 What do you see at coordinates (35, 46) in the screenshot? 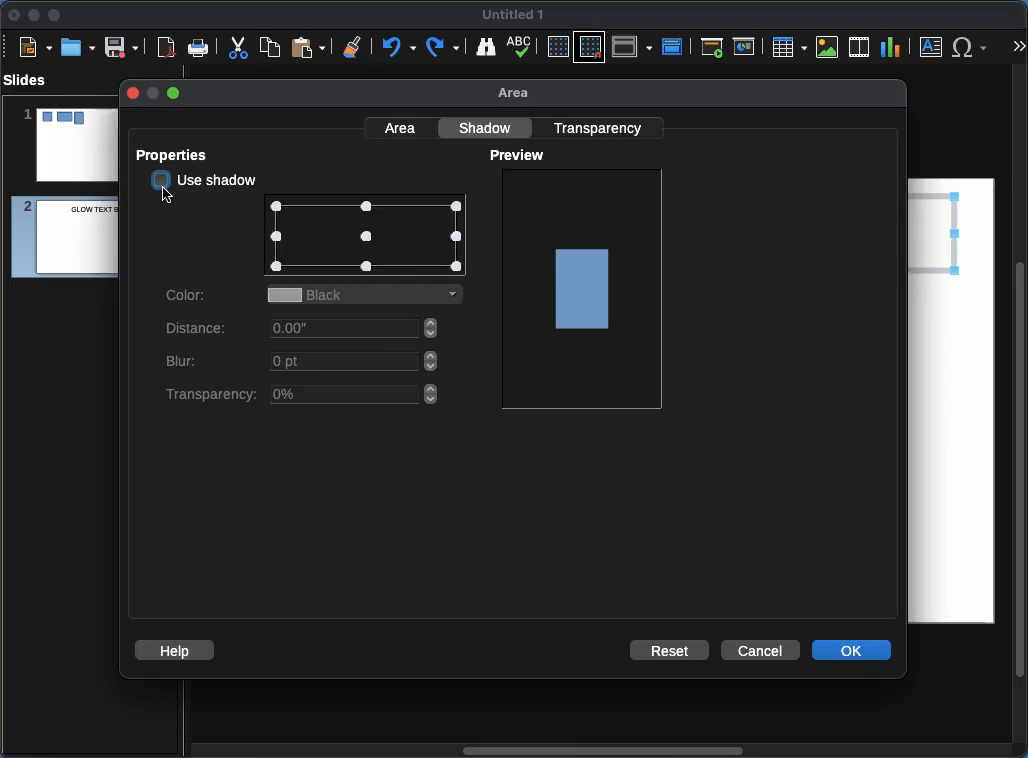
I see `New` at bounding box center [35, 46].